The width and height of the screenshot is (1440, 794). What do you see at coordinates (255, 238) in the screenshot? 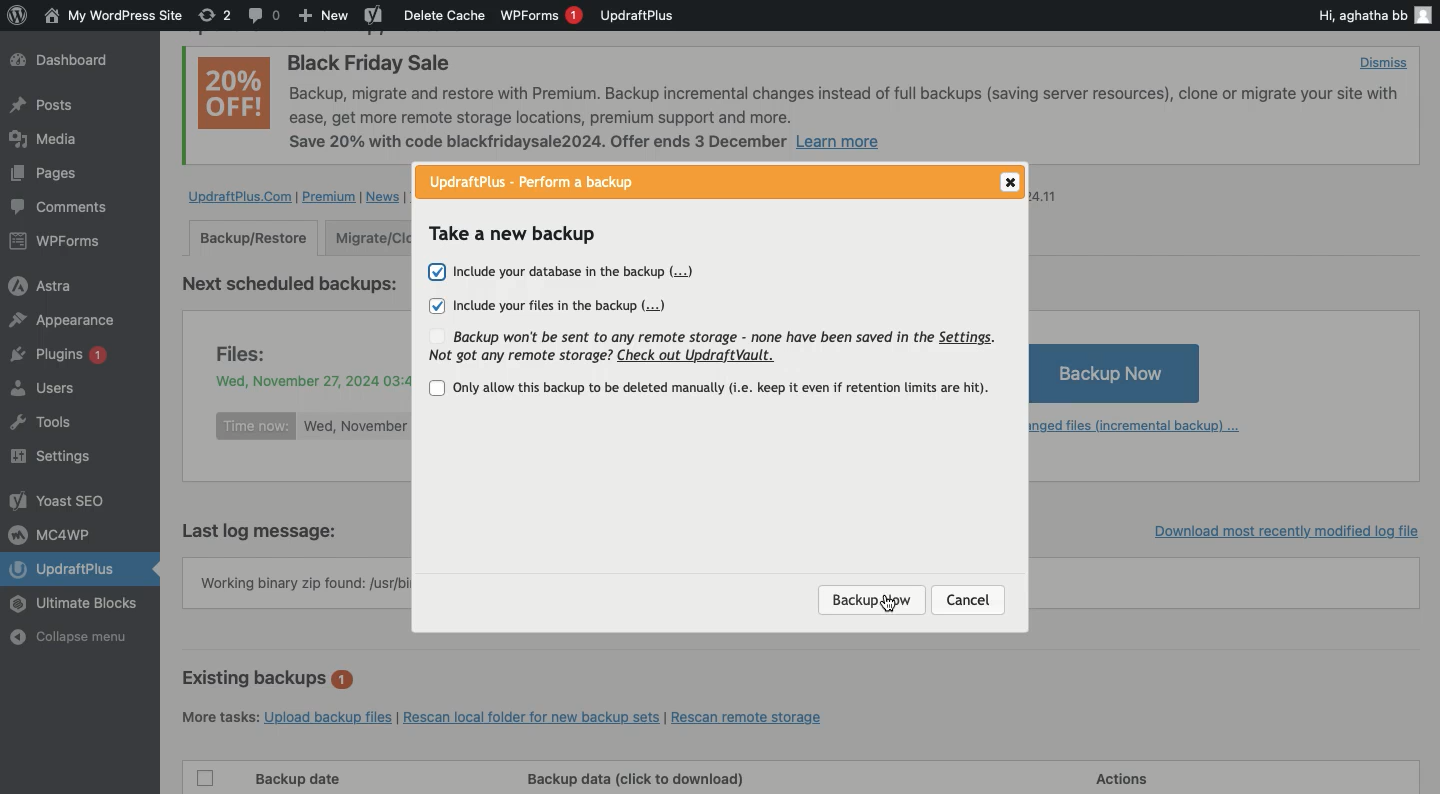
I see `Backup/Restore` at bounding box center [255, 238].